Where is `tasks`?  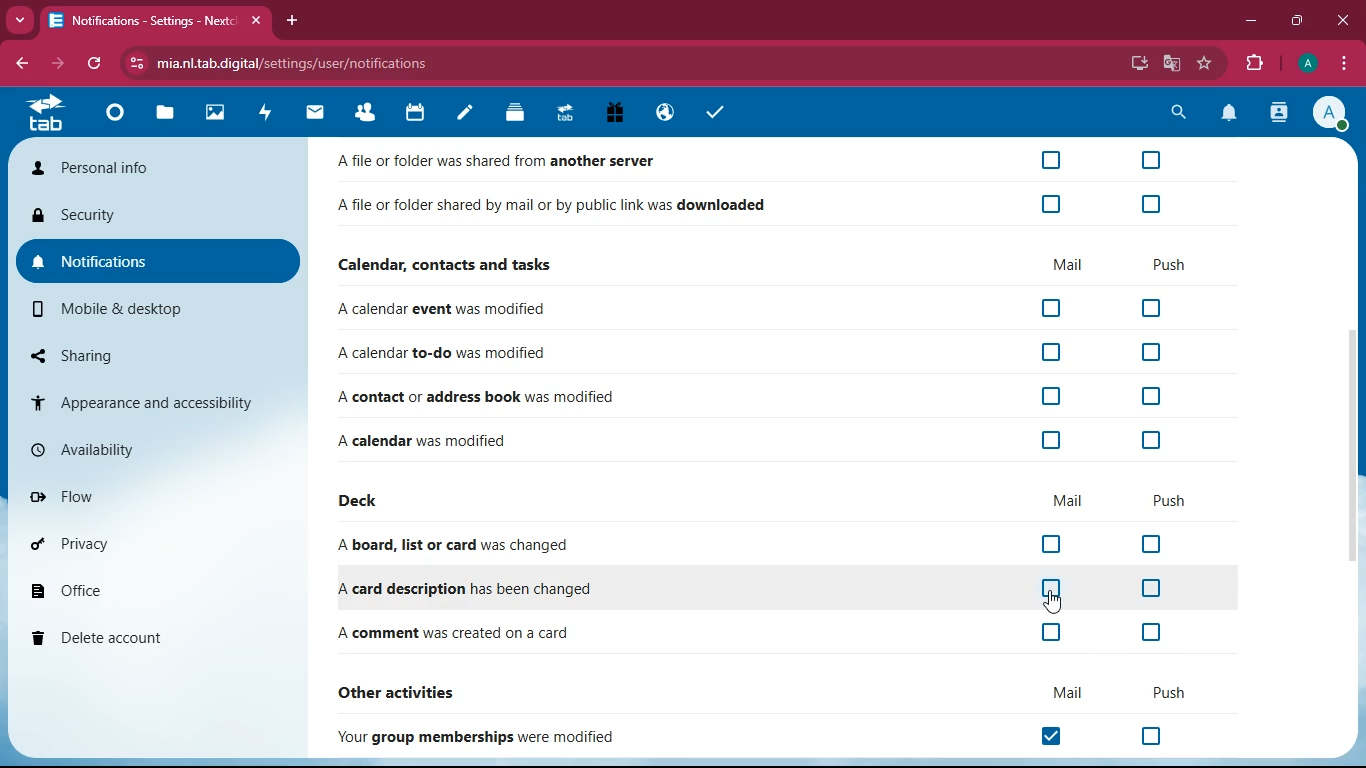
tasks is located at coordinates (712, 112).